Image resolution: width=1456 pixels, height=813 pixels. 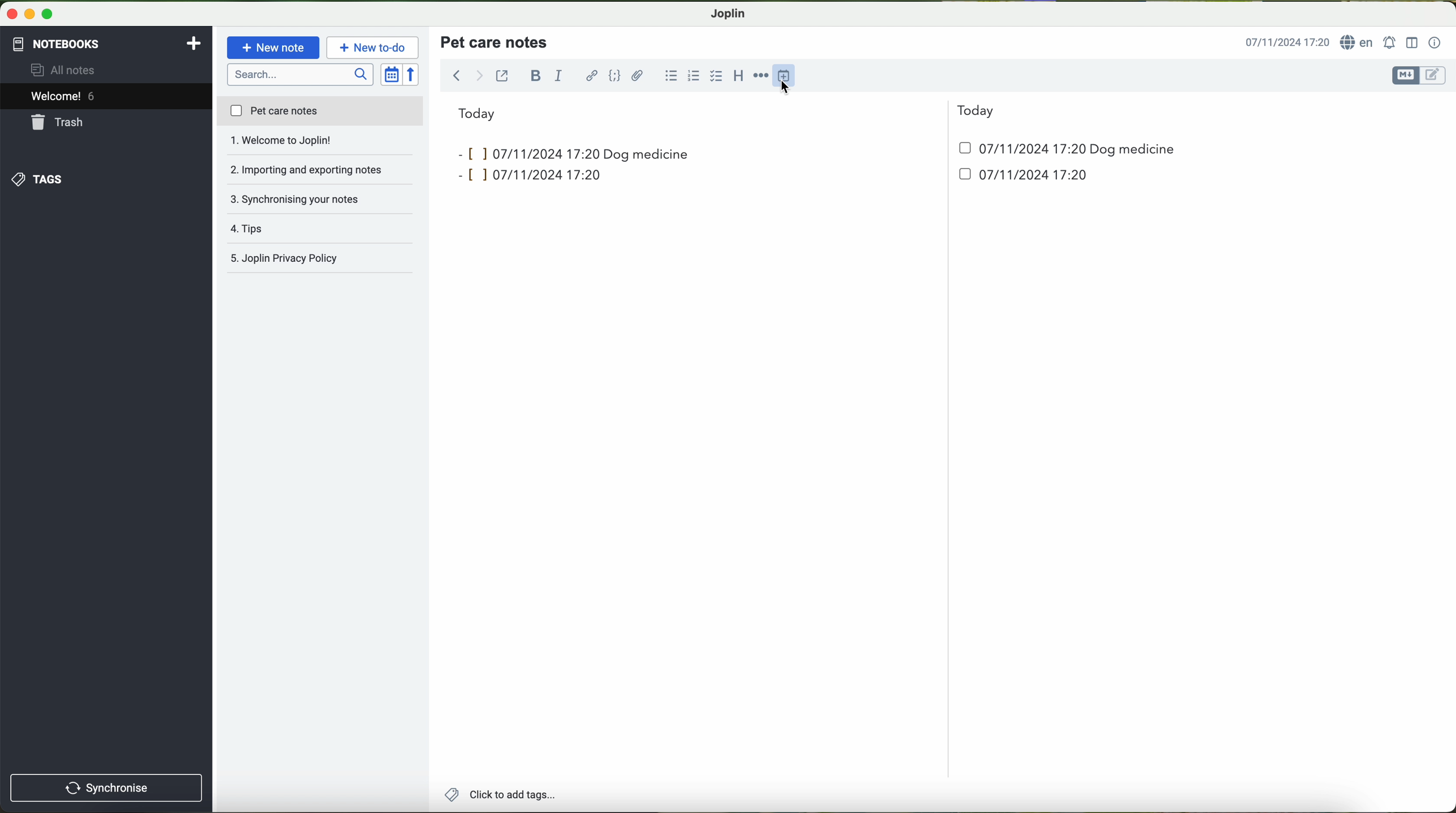 I want to click on date and hour, so click(x=1013, y=153).